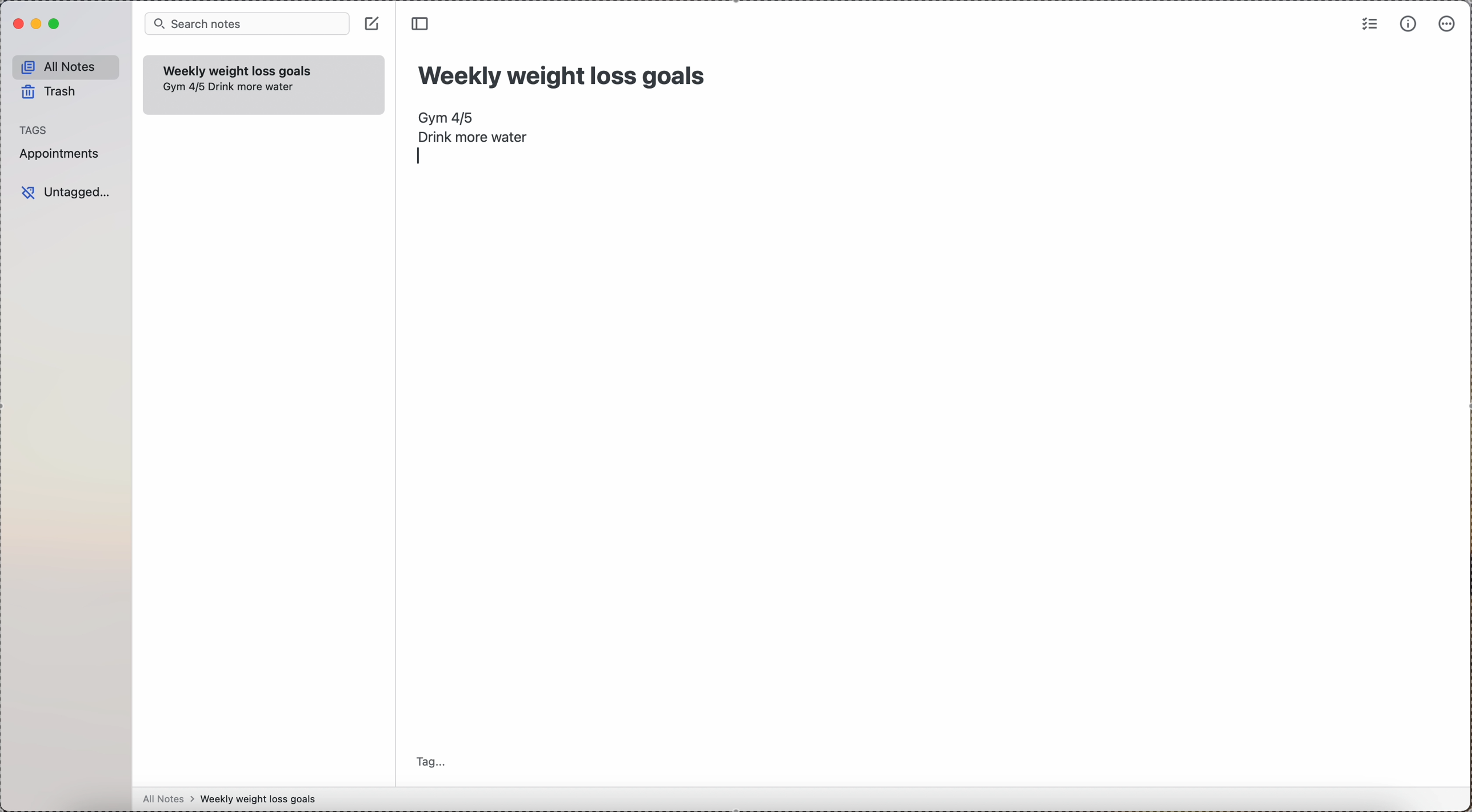 The image size is (1472, 812). I want to click on all notes, so click(66, 66).